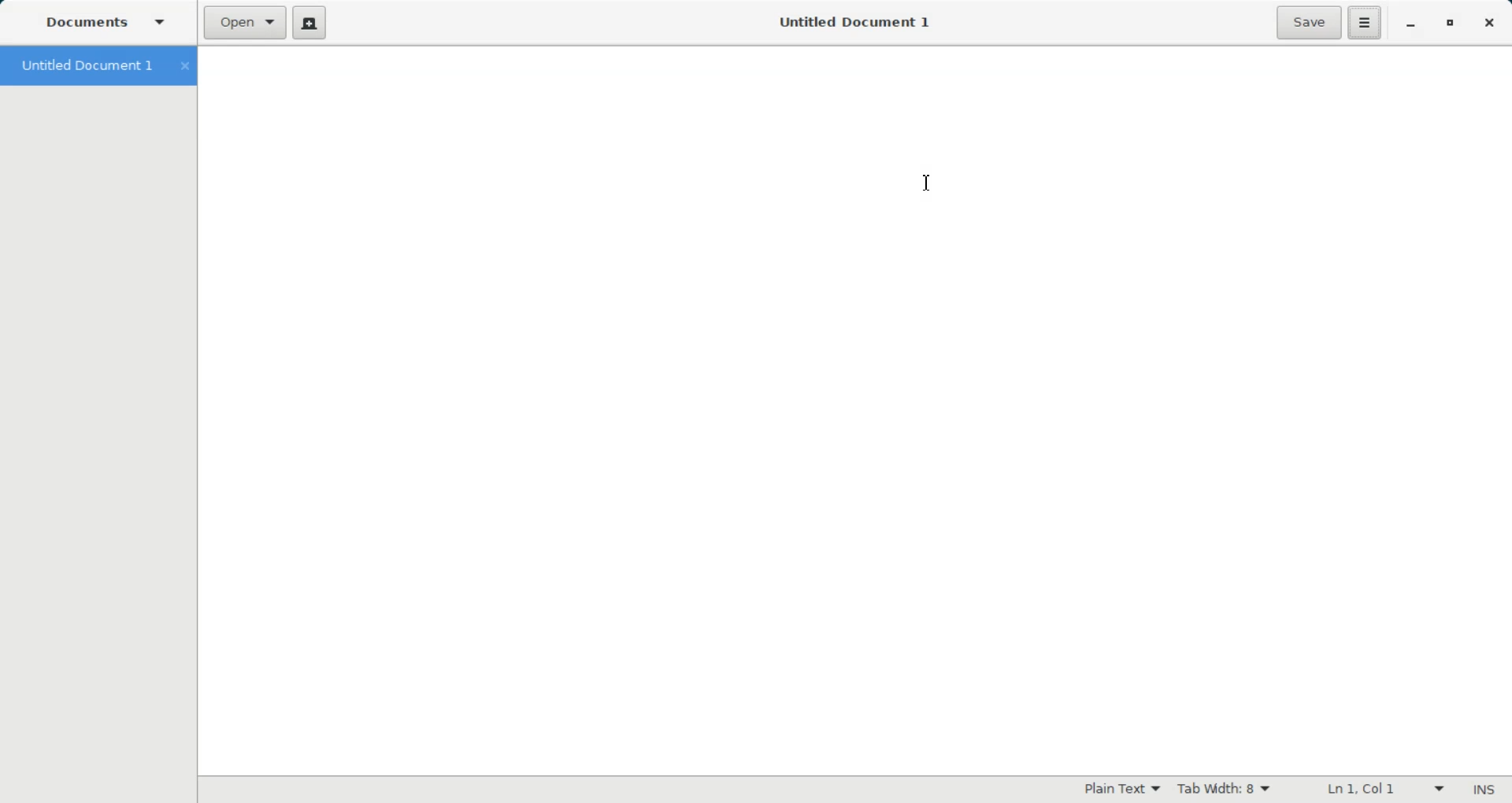  Describe the element at coordinates (853, 409) in the screenshot. I see `Text Entry Pane` at that location.